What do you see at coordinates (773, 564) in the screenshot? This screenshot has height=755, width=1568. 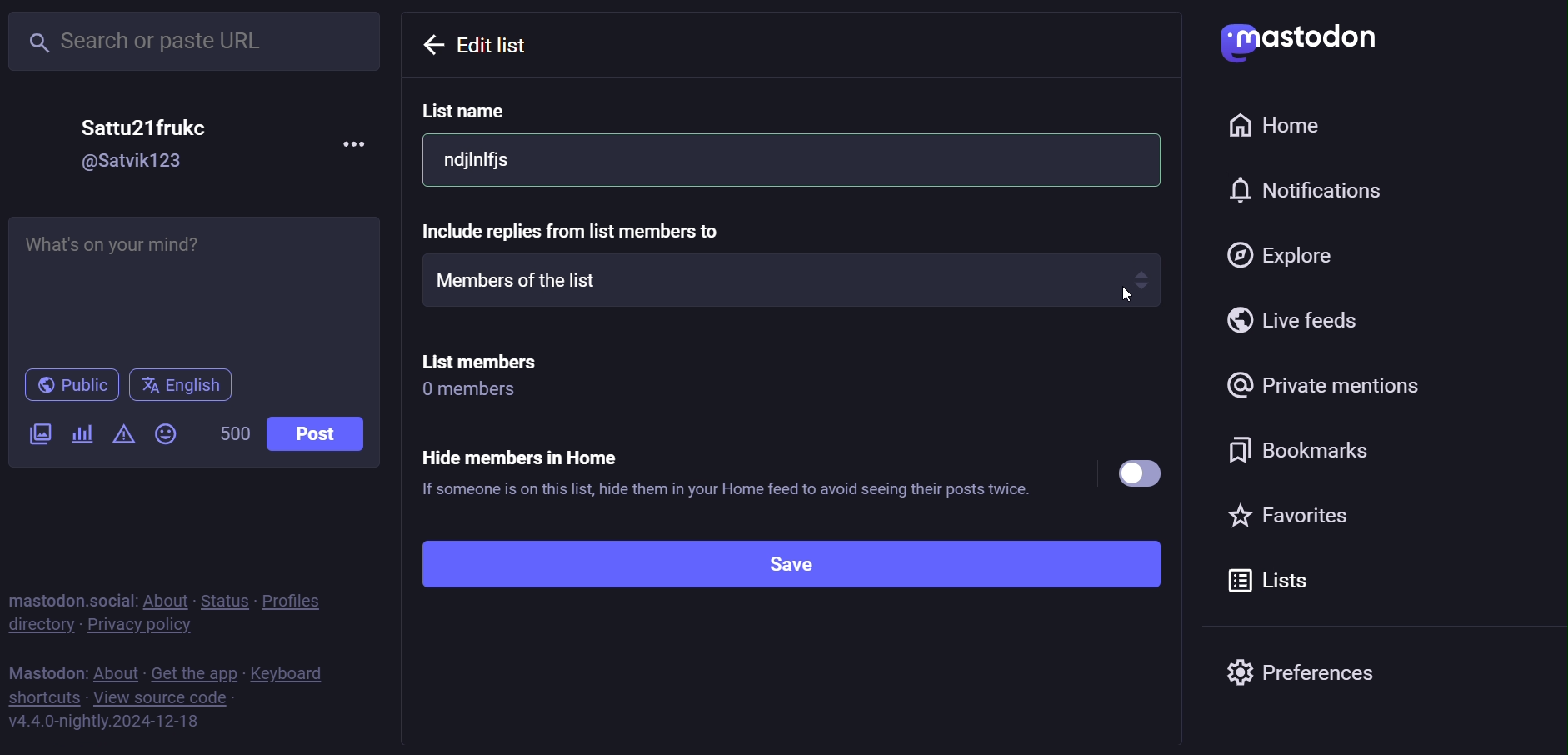 I see `save` at bounding box center [773, 564].